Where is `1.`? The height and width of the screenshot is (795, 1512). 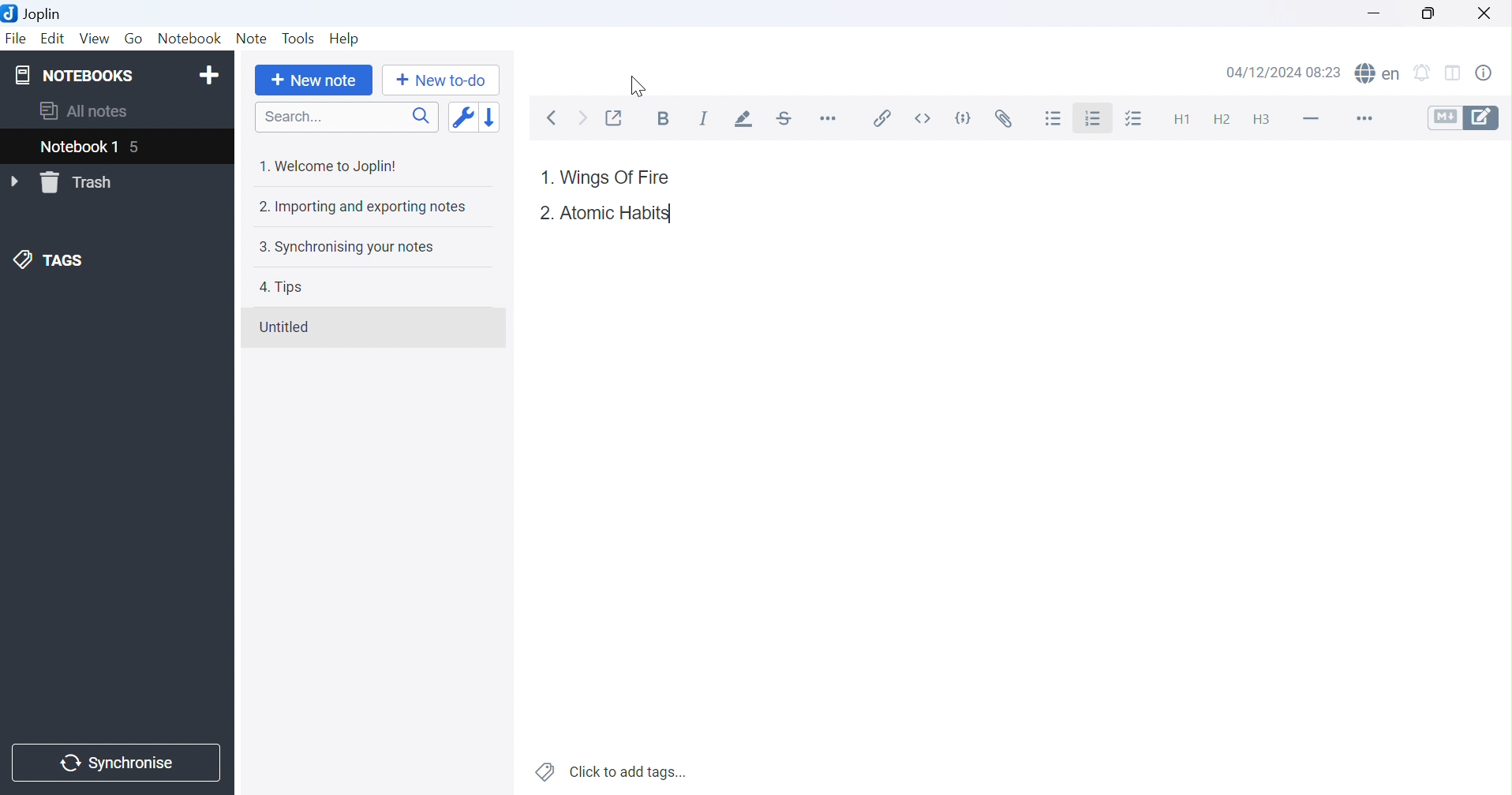
1. is located at coordinates (542, 176).